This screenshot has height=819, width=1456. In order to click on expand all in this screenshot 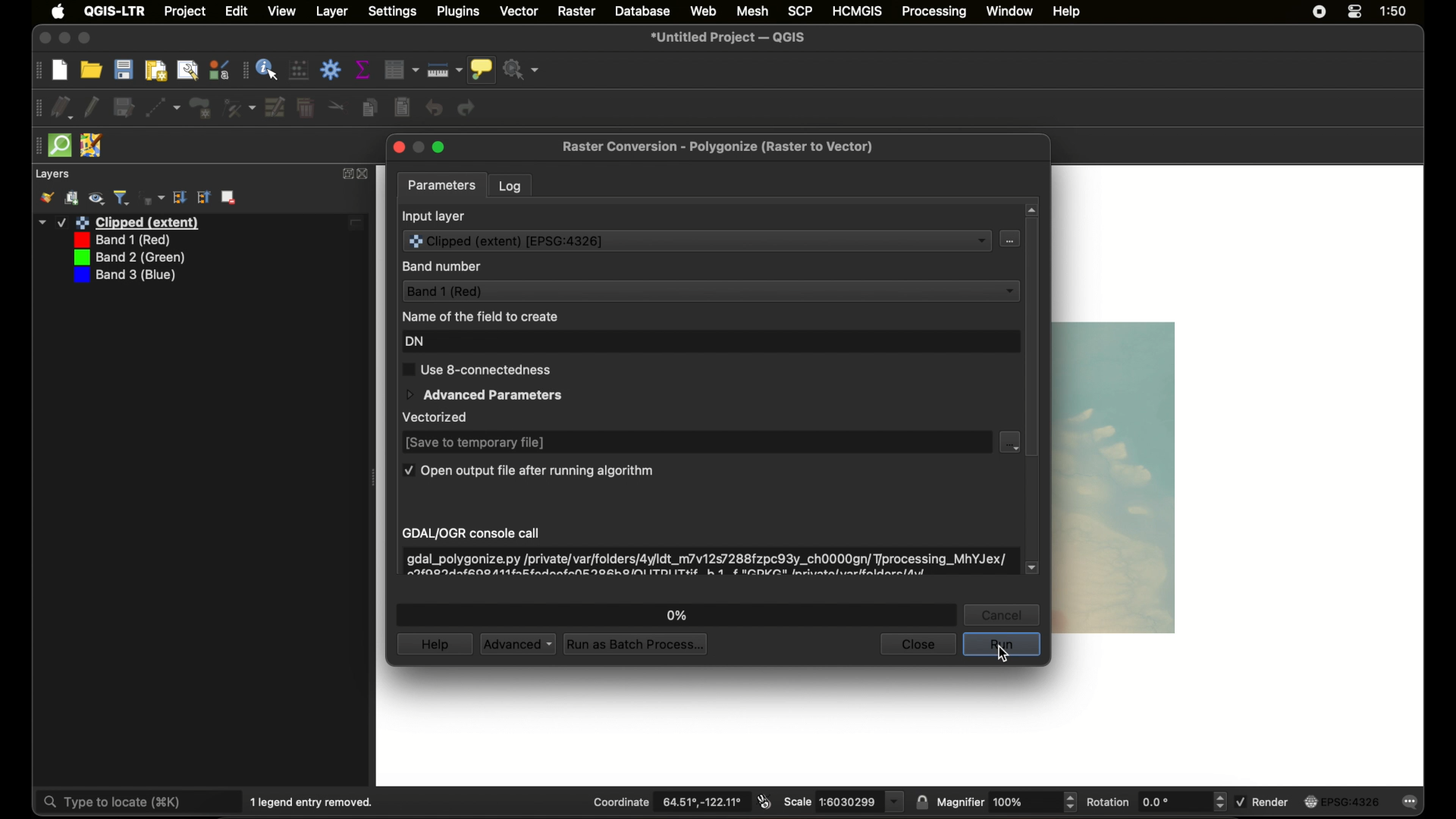, I will do `click(204, 197)`.